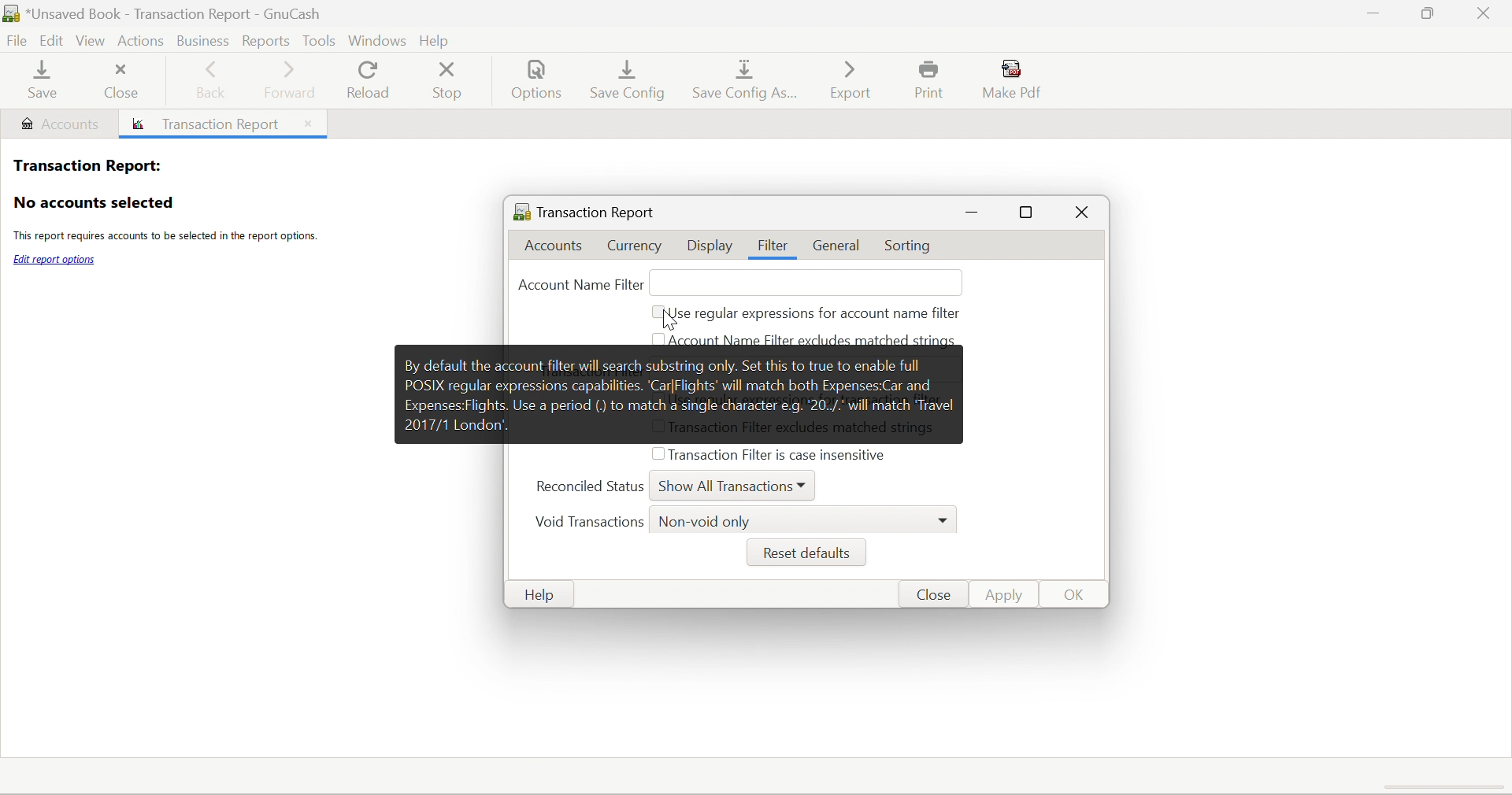  Describe the element at coordinates (268, 40) in the screenshot. I see `Reports` at that location.